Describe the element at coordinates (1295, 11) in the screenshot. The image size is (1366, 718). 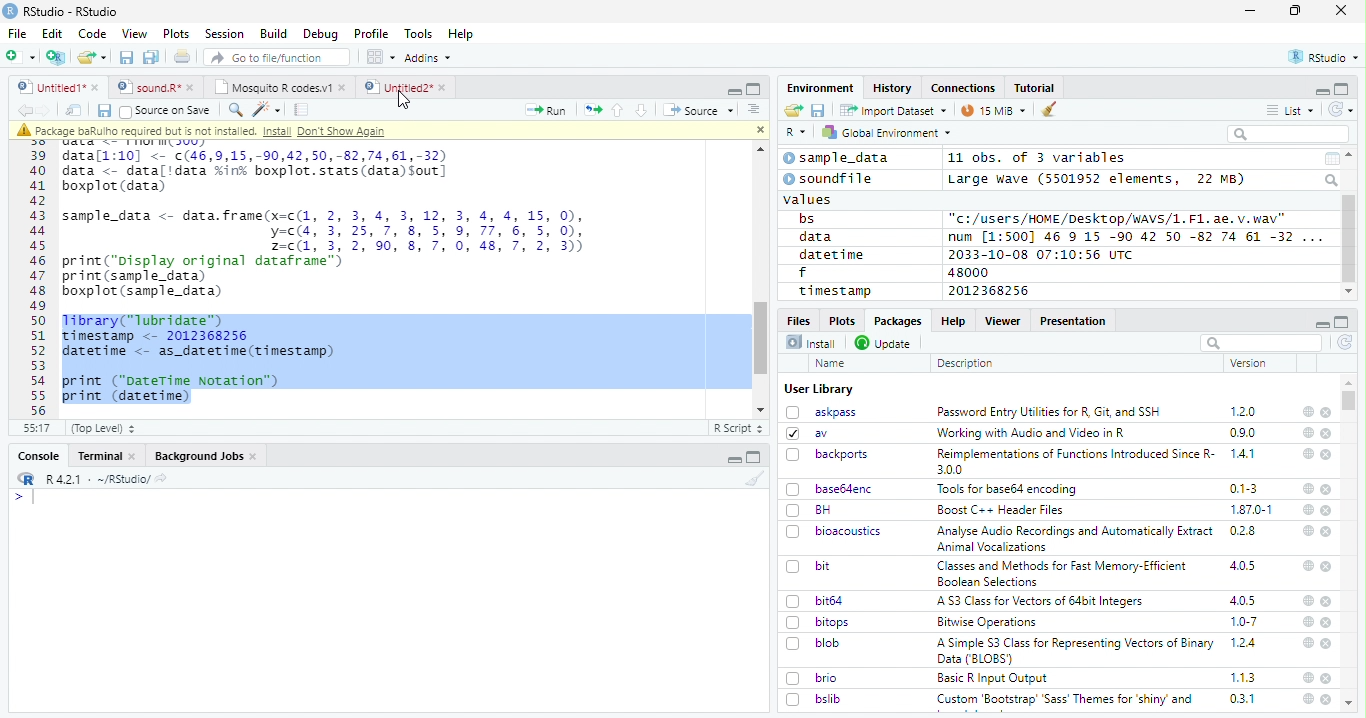
I see `maximize` at that location.